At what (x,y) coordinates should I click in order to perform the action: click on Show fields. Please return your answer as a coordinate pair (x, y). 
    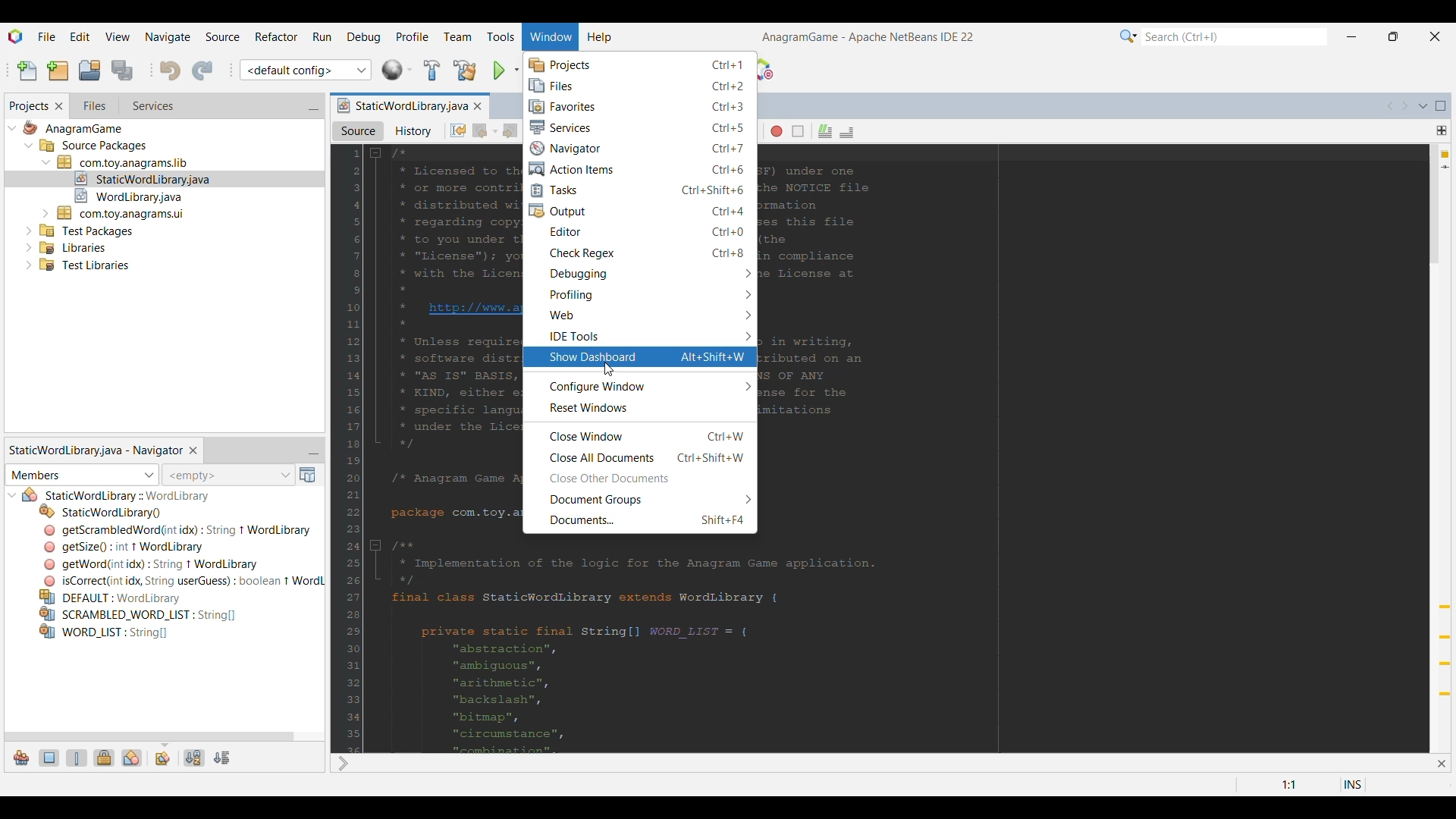
    Looking at the image, I should click on (50, 758).